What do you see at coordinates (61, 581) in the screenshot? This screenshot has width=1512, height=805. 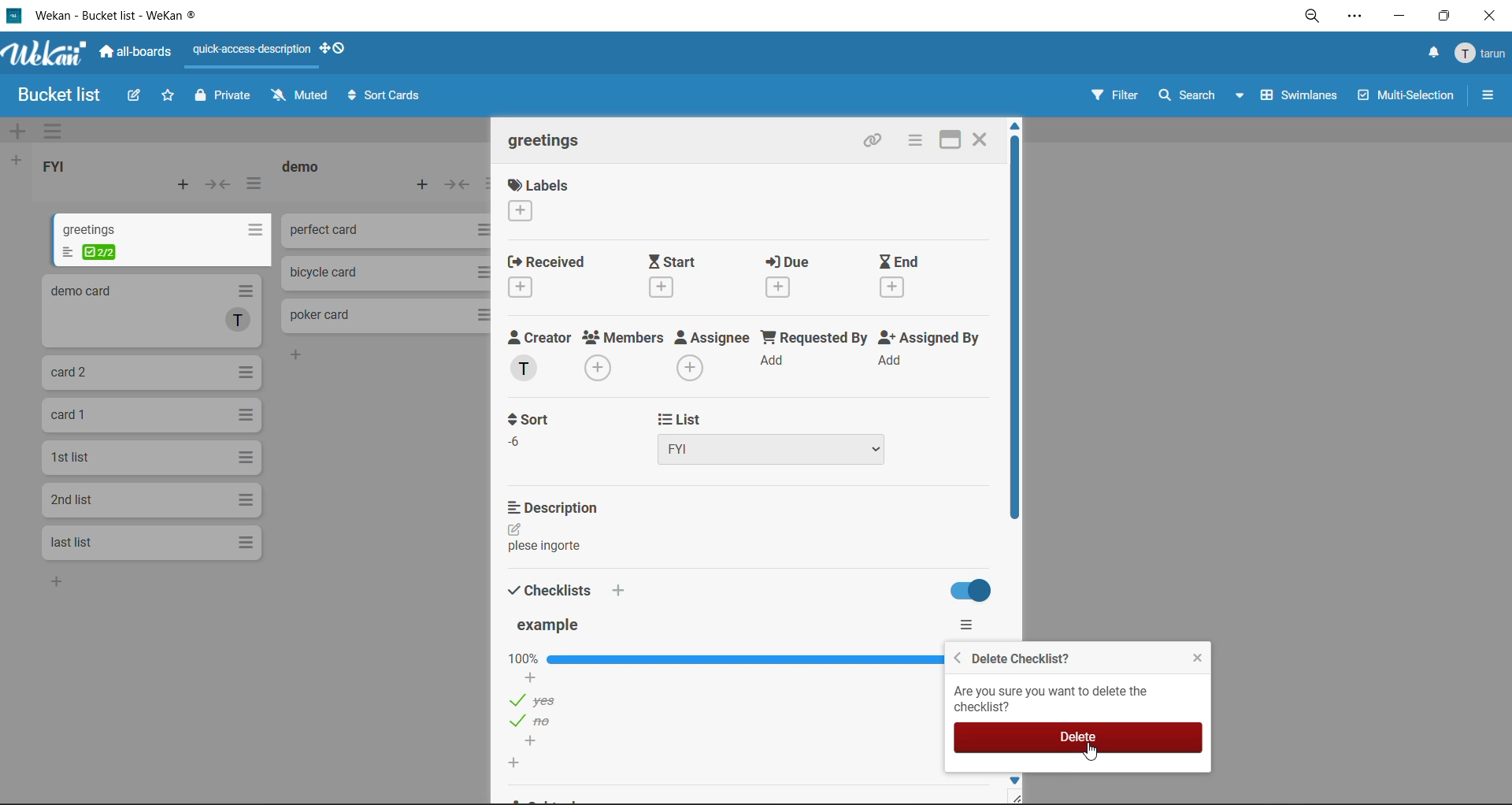 I see `add` at bounding box center [61, 581].